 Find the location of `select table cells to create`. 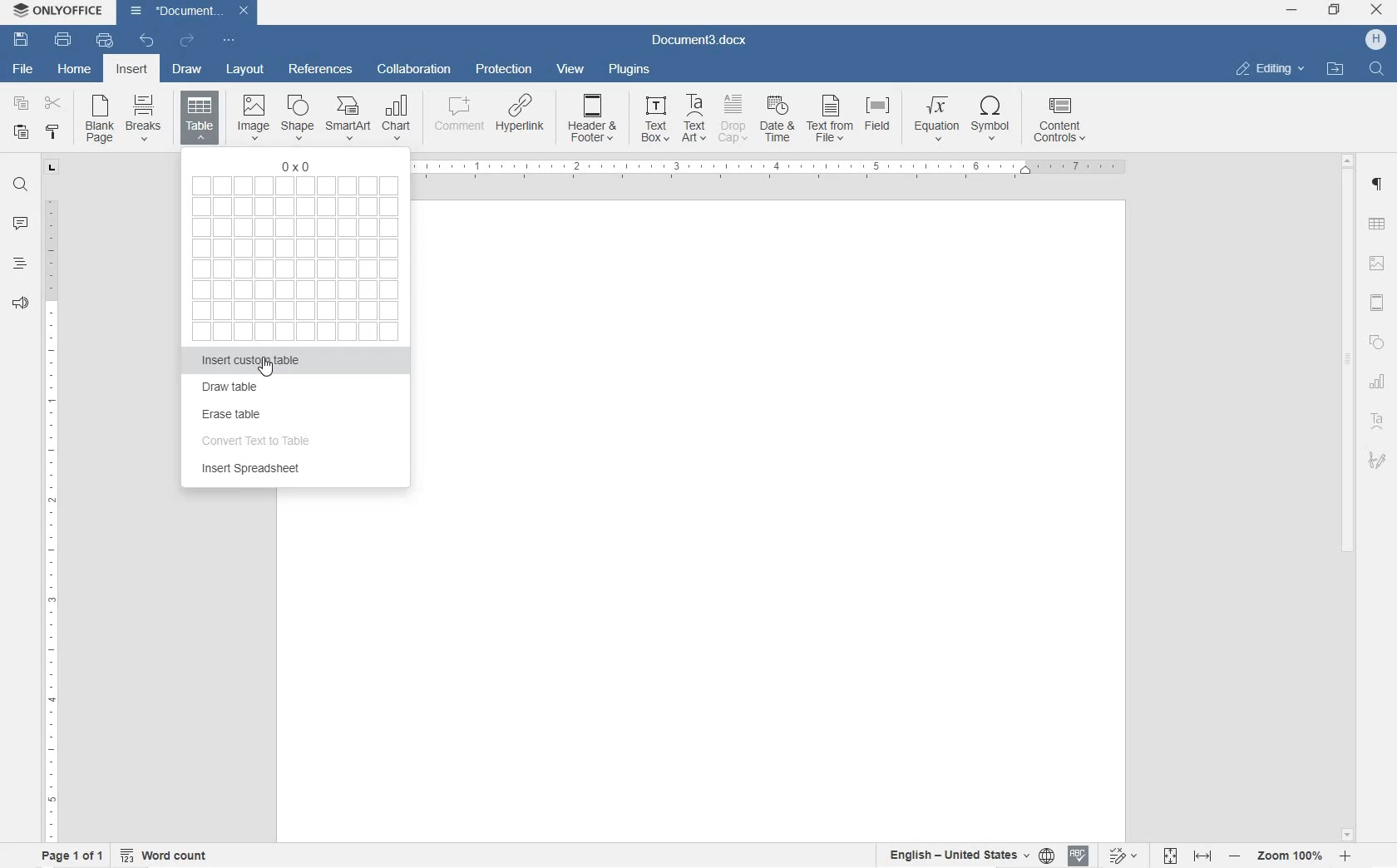

select table cells to create is located at coordinates (291, 262).